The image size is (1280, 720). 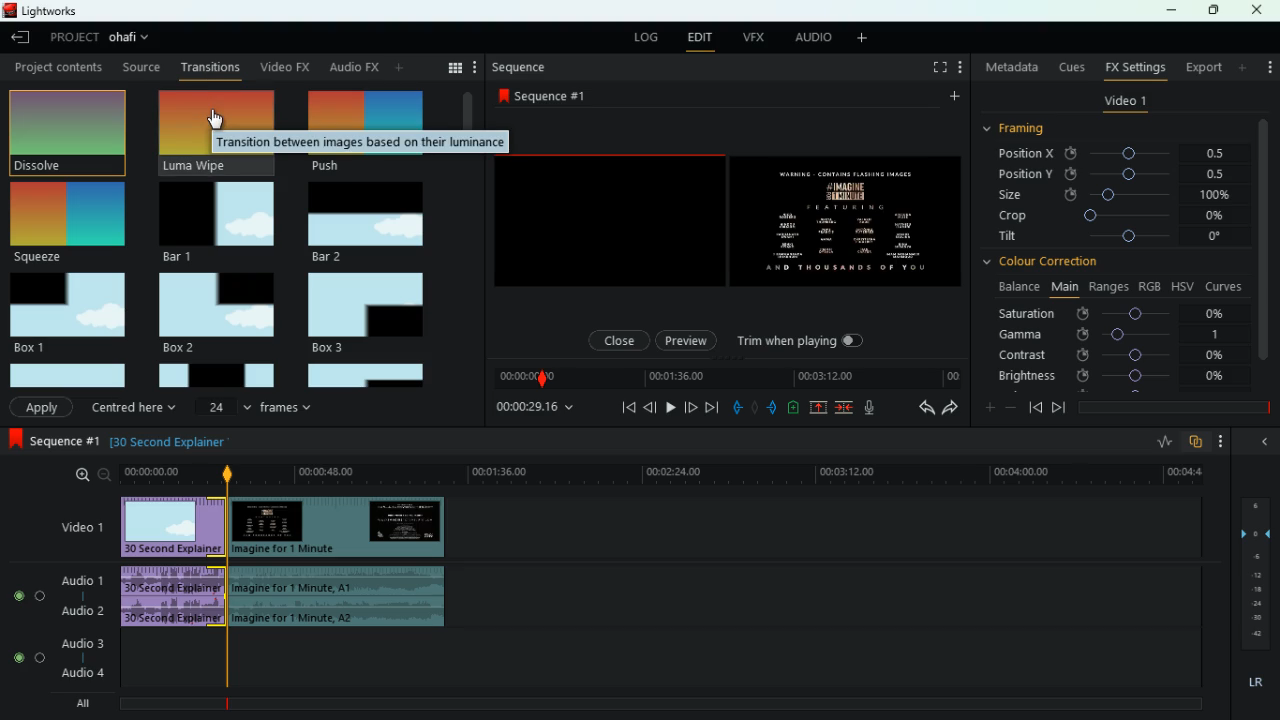 What do you see at coordinates (25, 621) in the screenshot?
I see `radio button` at bounding box center [25, 621].